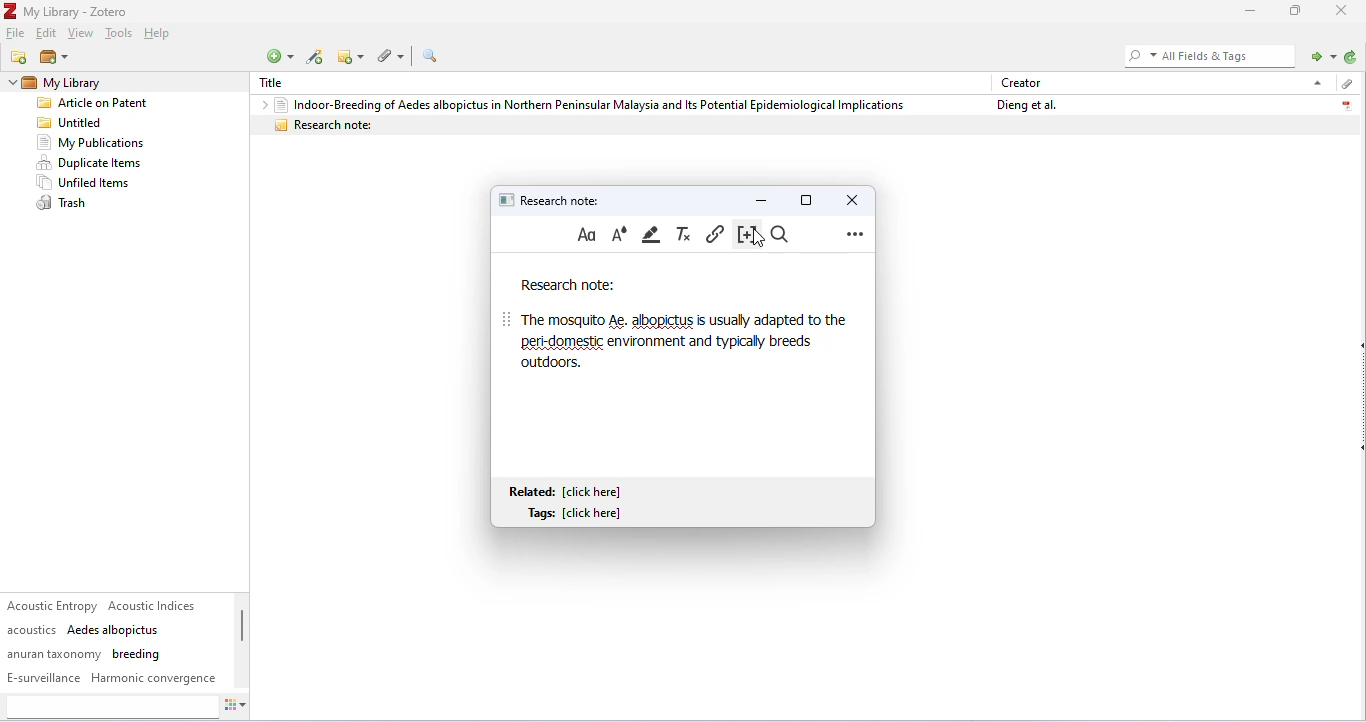 Image resolution: width=1366 pixels, height=722 pixels. What do you see at coordinates (242, 636) in the screenshot?
I see `vertical scroll bar` at bounding box center [242, 636].